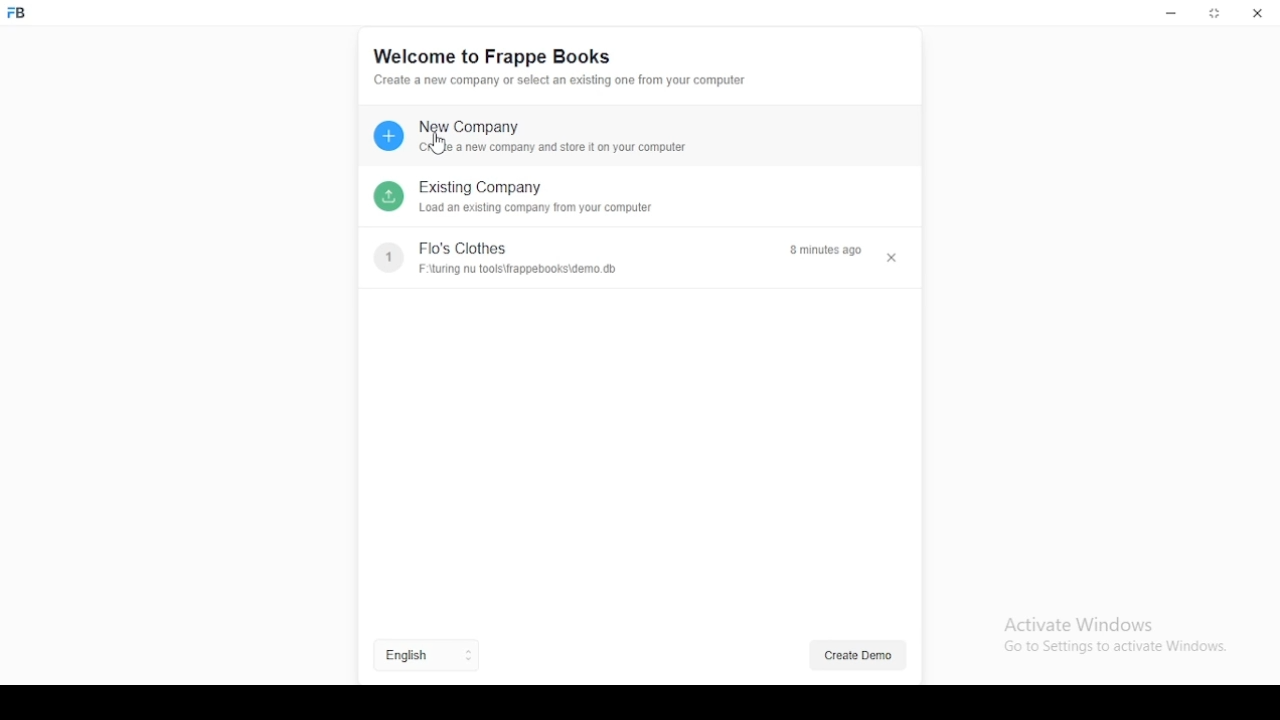  What do you see at coordinates (406, 656) in the screenshot?
I see `english` at bounding box center [406, 656].